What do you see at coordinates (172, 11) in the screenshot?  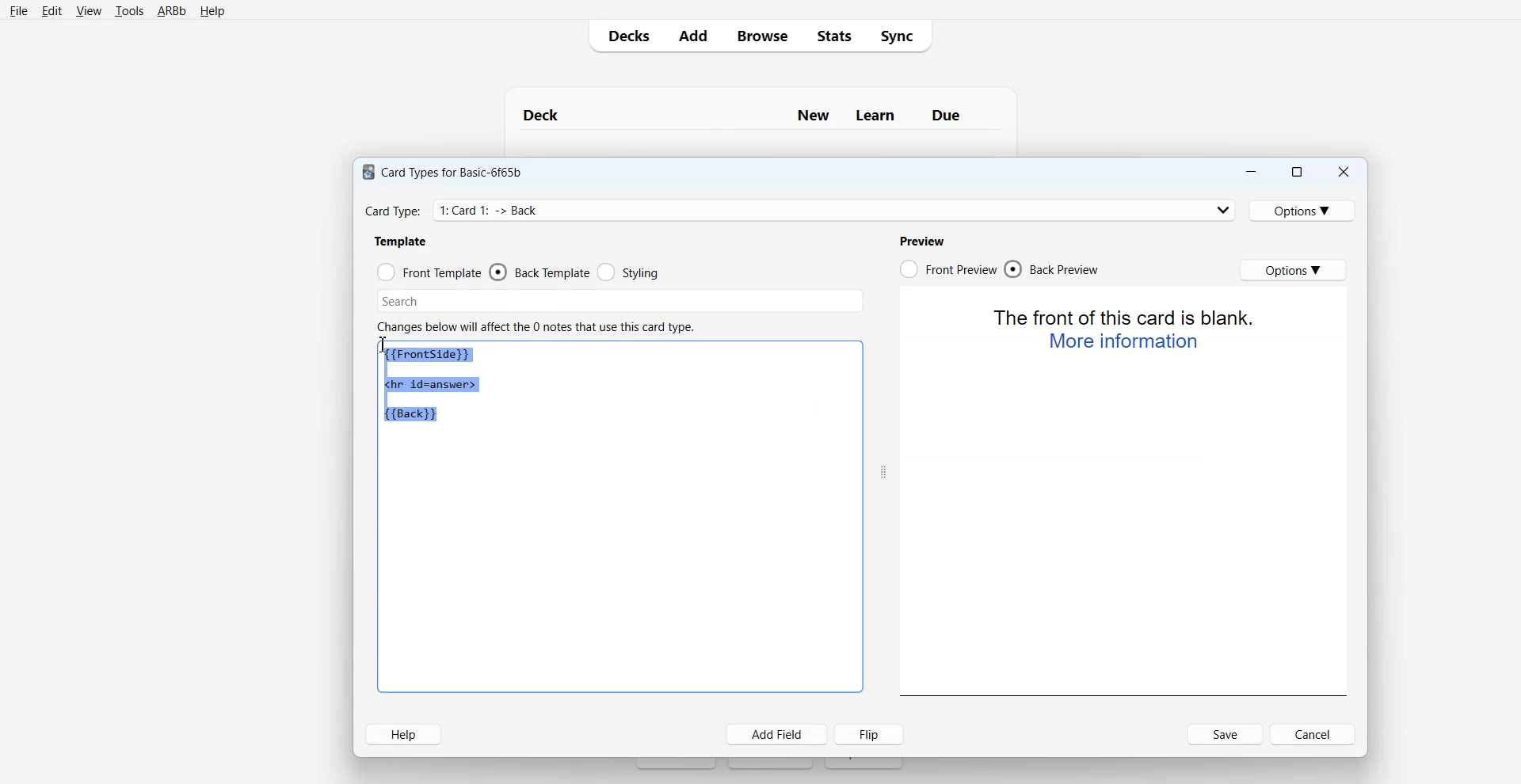 I see `ARBb` at bounding box center [172, 11].